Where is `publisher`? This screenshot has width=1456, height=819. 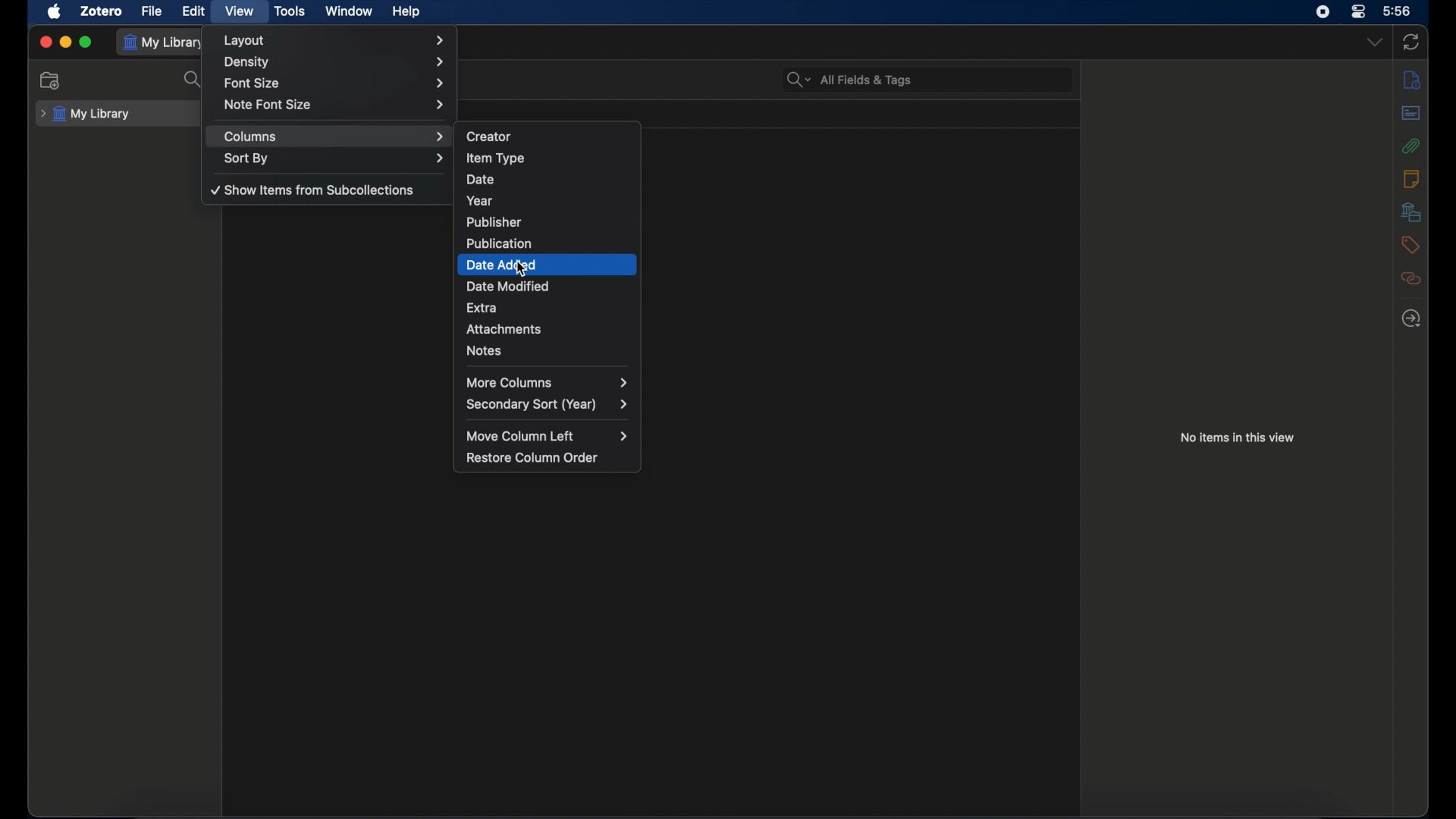
publisher is located at coordinates (546, 222).